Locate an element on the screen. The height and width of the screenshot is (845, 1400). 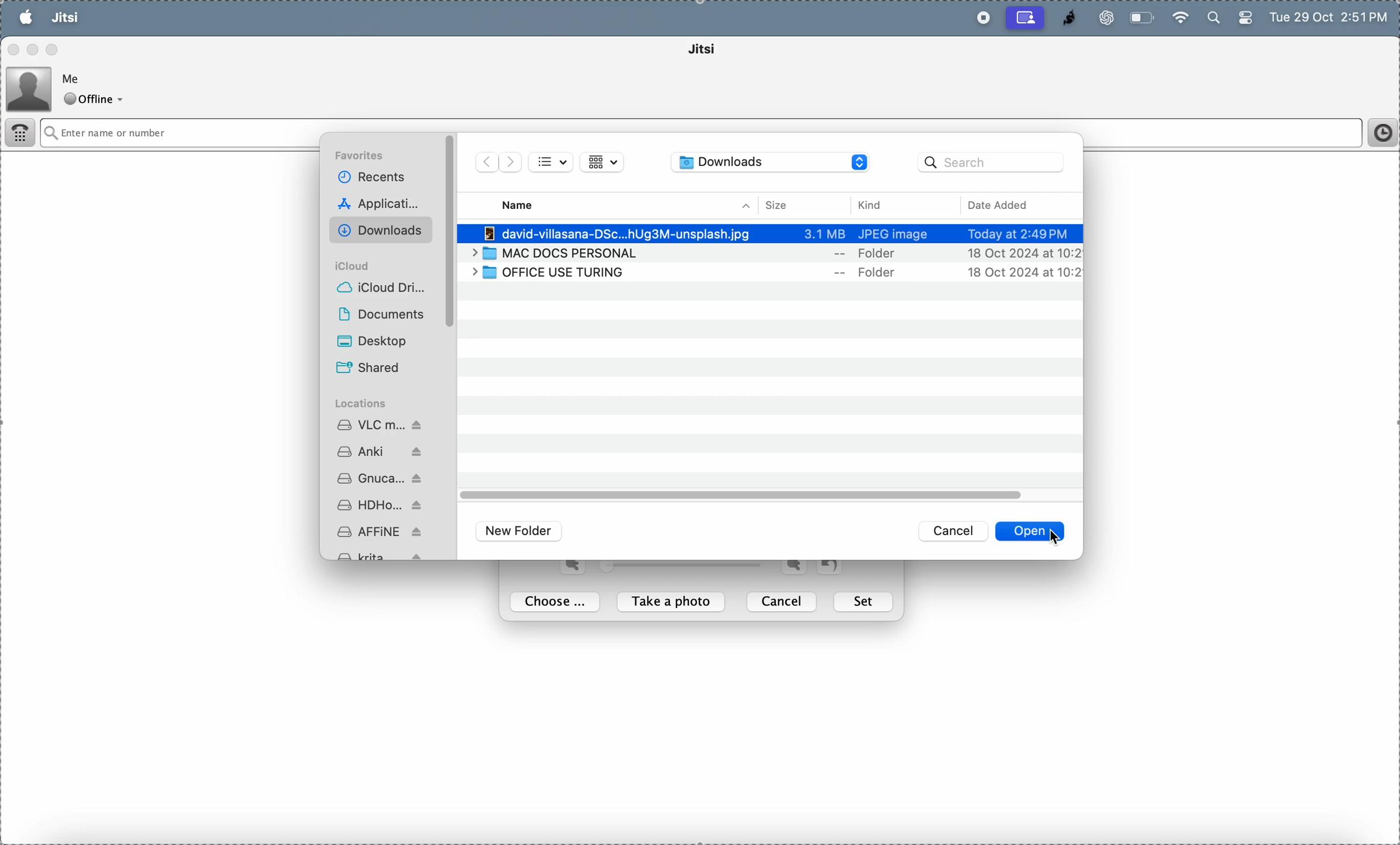
offline is located at coordinates (97, 100).